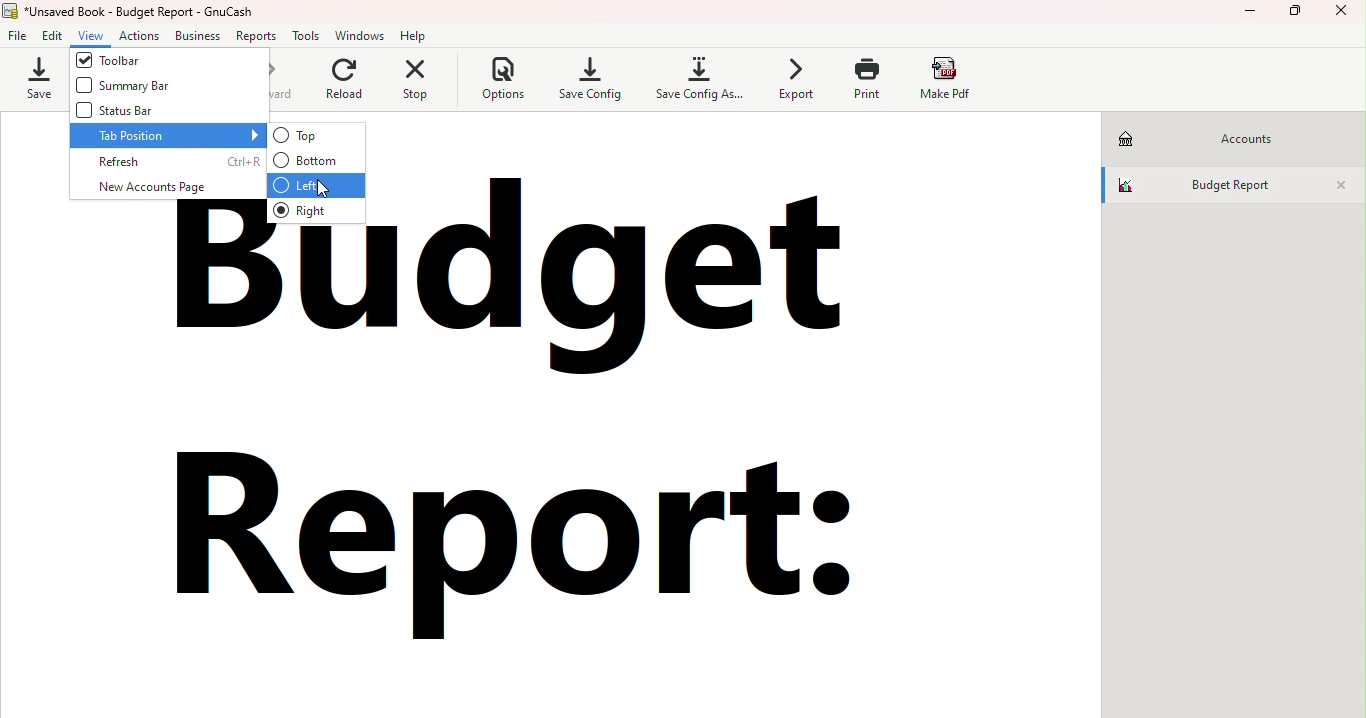 Image resolution: width=1366 pixels, height=718 pixels. What do you see at coordinates (1299, 16) in the screenshot?
I see `Maximize` at bounding box center [1299, 16].